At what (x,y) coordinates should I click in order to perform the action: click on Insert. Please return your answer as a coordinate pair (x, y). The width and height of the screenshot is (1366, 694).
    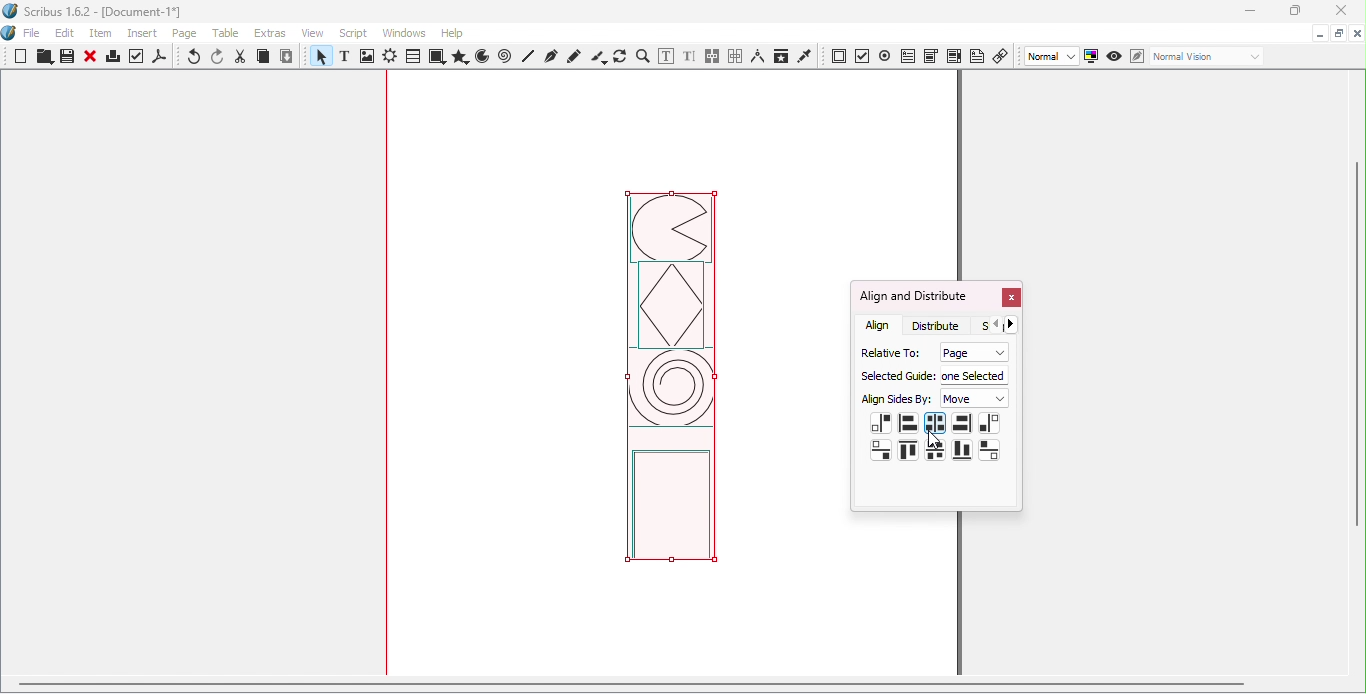
    Looking at the image, I should click on (145, 31).